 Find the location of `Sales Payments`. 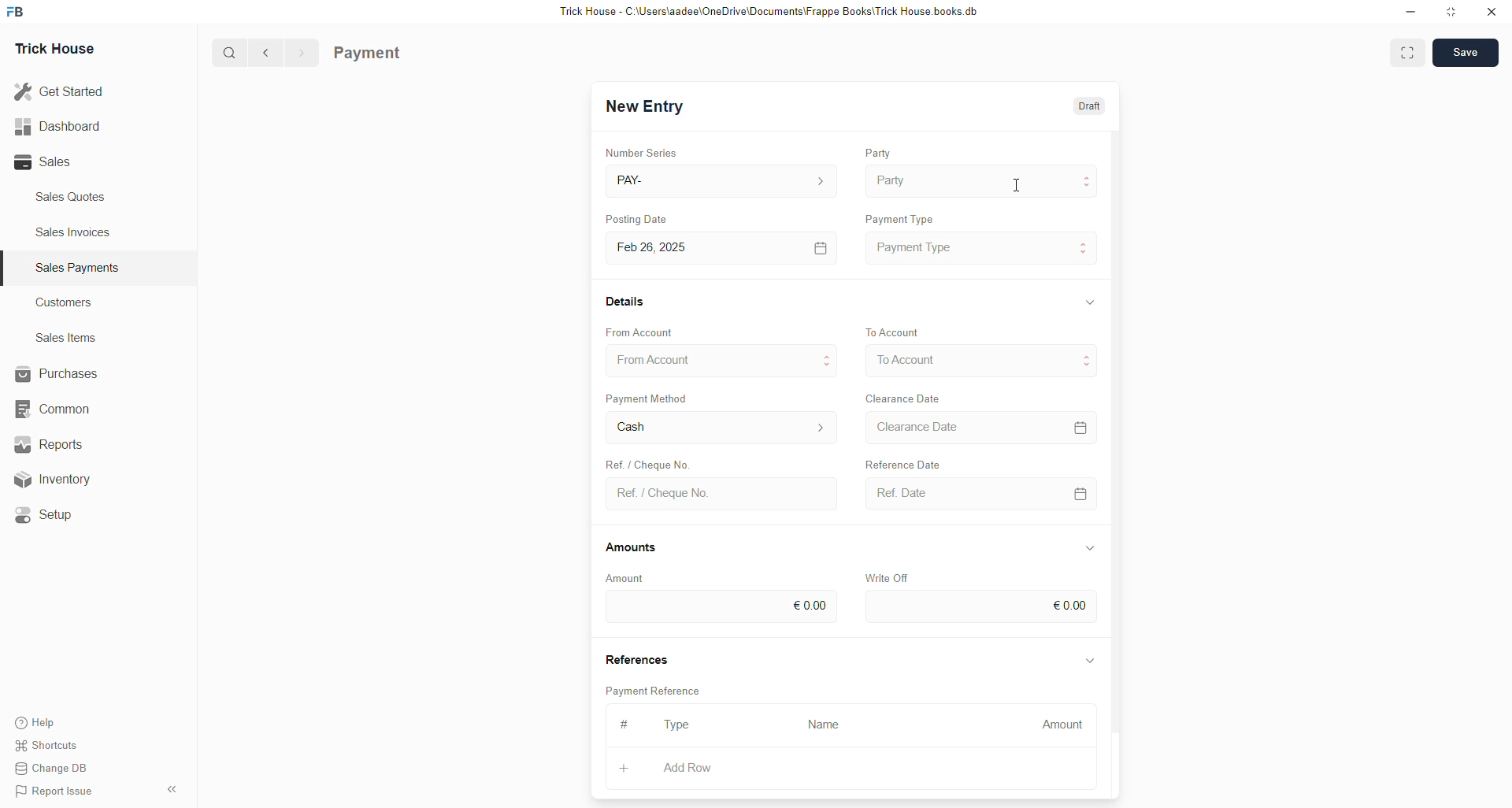

Sales Payments is located at coordinates (80, 268).